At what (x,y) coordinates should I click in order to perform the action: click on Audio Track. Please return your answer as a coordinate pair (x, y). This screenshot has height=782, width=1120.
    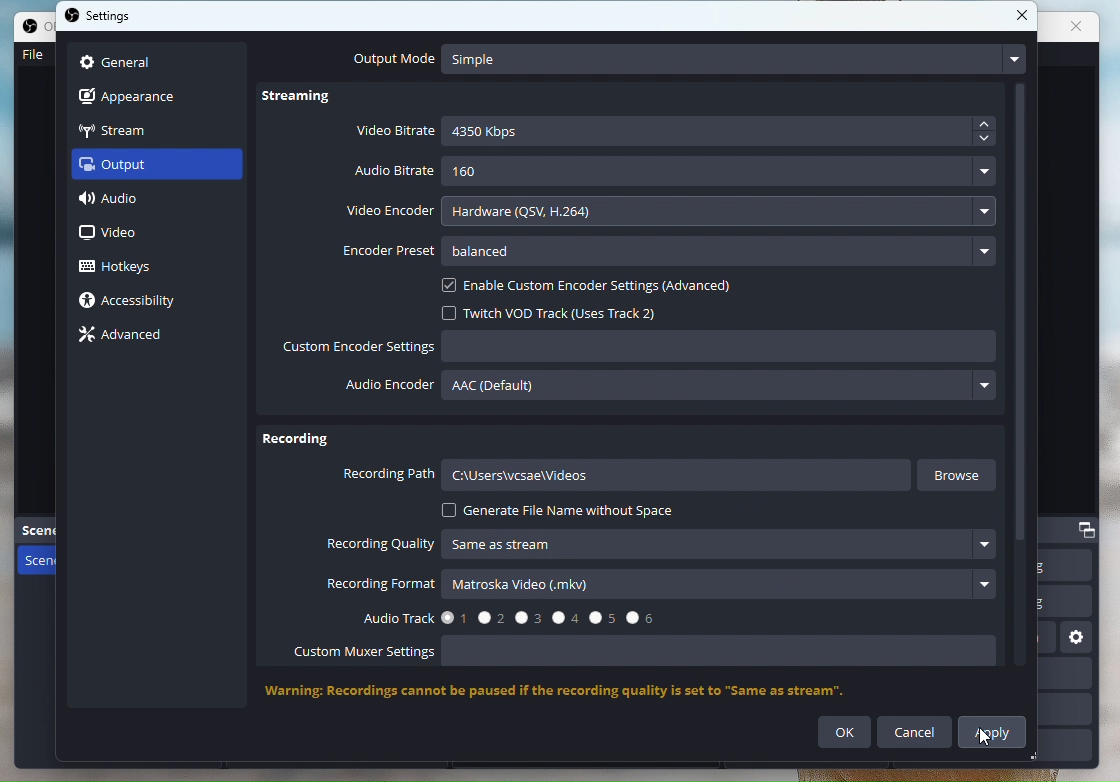
    Looking at the image, I should click on (502, 616).